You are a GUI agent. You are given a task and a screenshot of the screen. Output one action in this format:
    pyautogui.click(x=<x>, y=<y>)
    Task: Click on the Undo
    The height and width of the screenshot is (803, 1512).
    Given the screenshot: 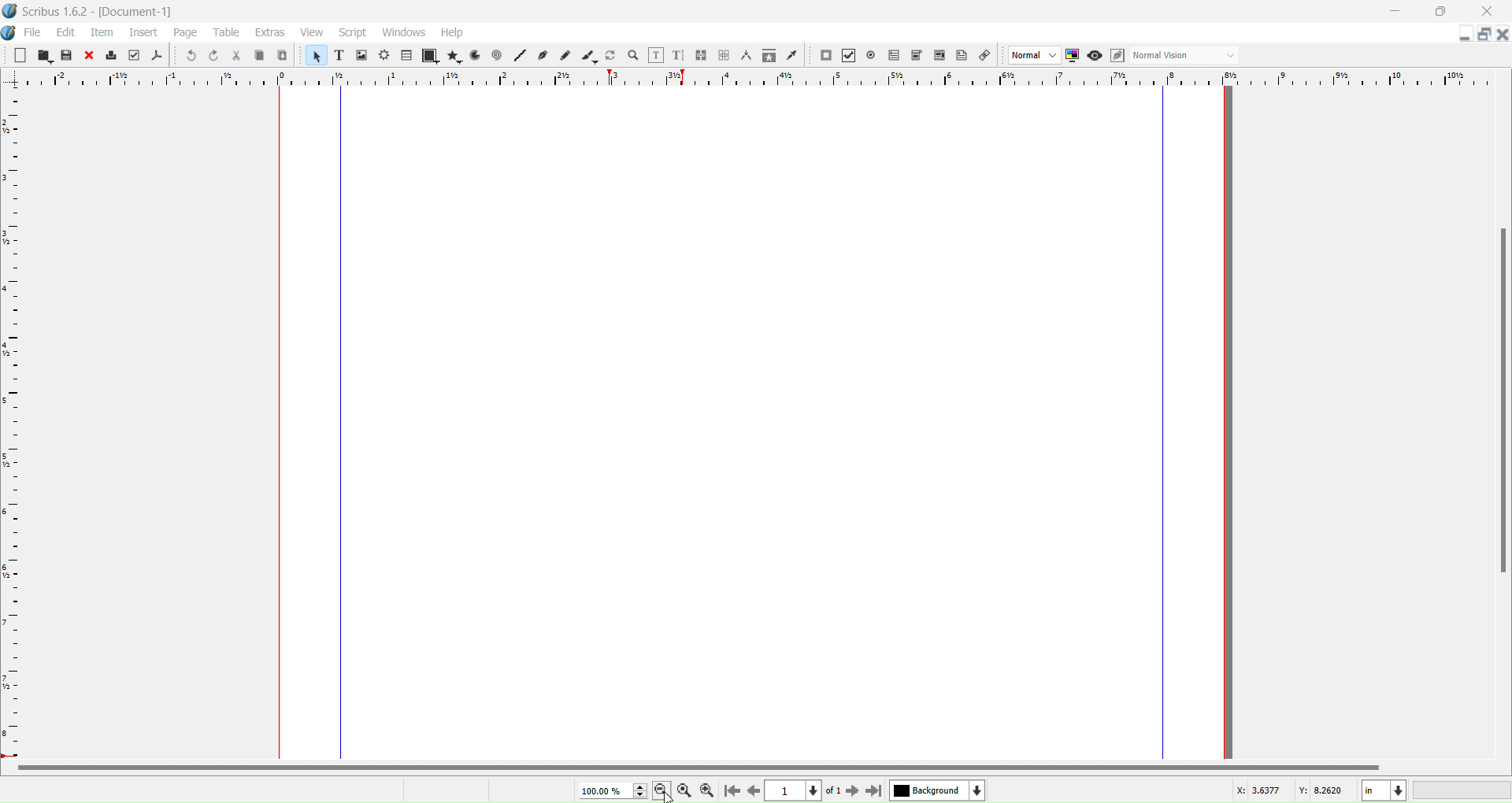 What is the action you would take?
    pyautogui.click(x=190, y=55)
    